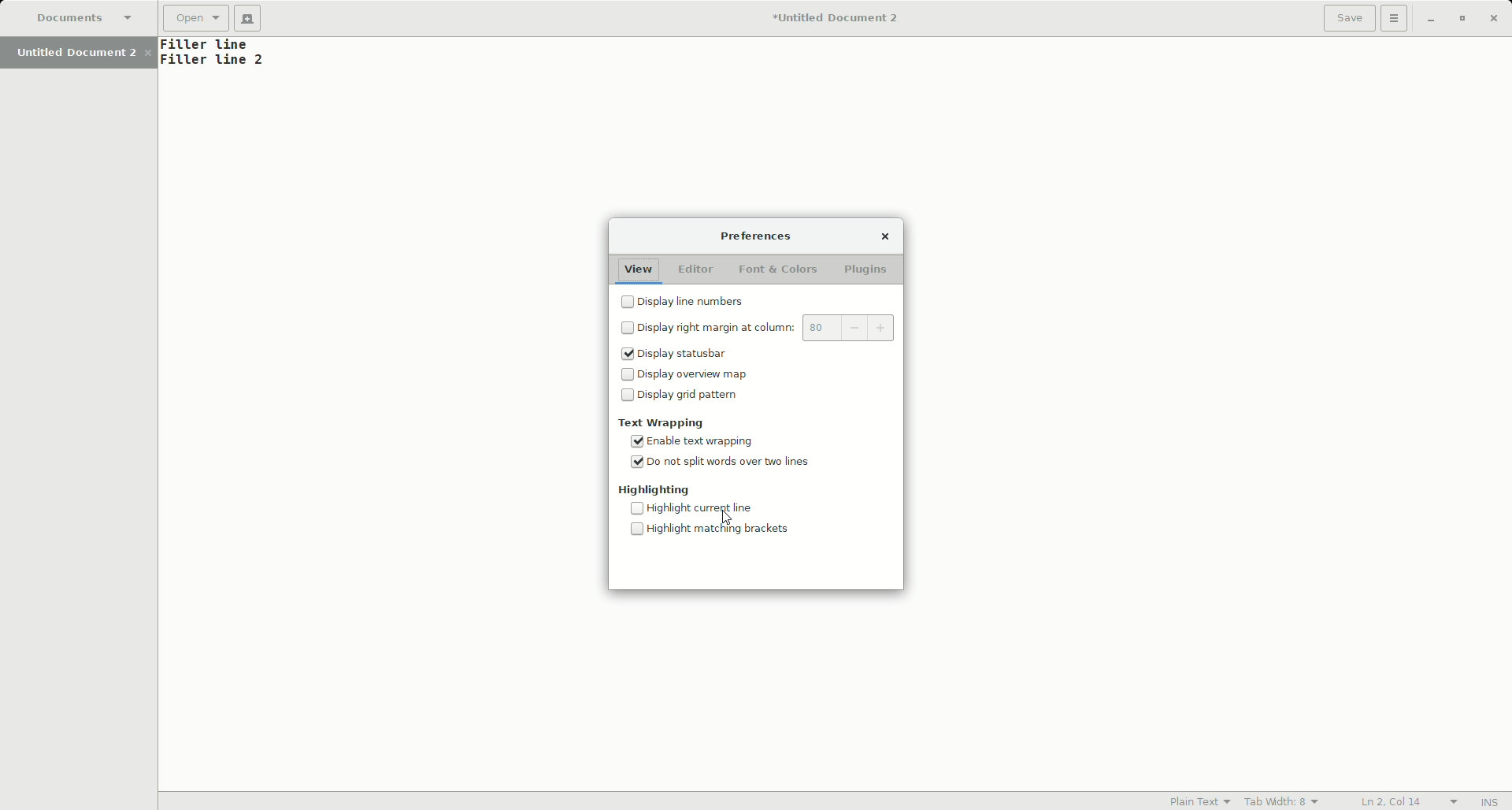 Image resolution: width=1512 pixels, height=810 pixels. I want to click on Open, so click(197, 20).